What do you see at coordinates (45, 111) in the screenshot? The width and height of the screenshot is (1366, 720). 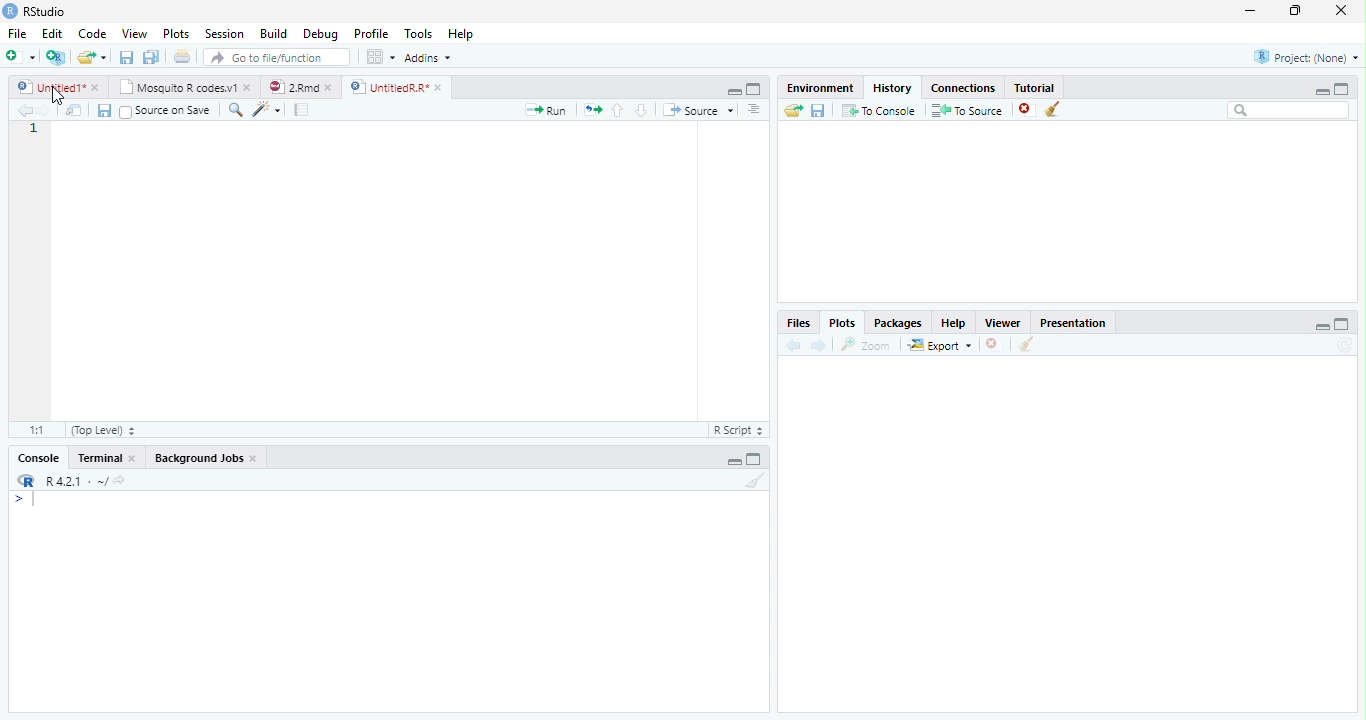 I see `Go forward to next source location` at bounding box center [45, 111].